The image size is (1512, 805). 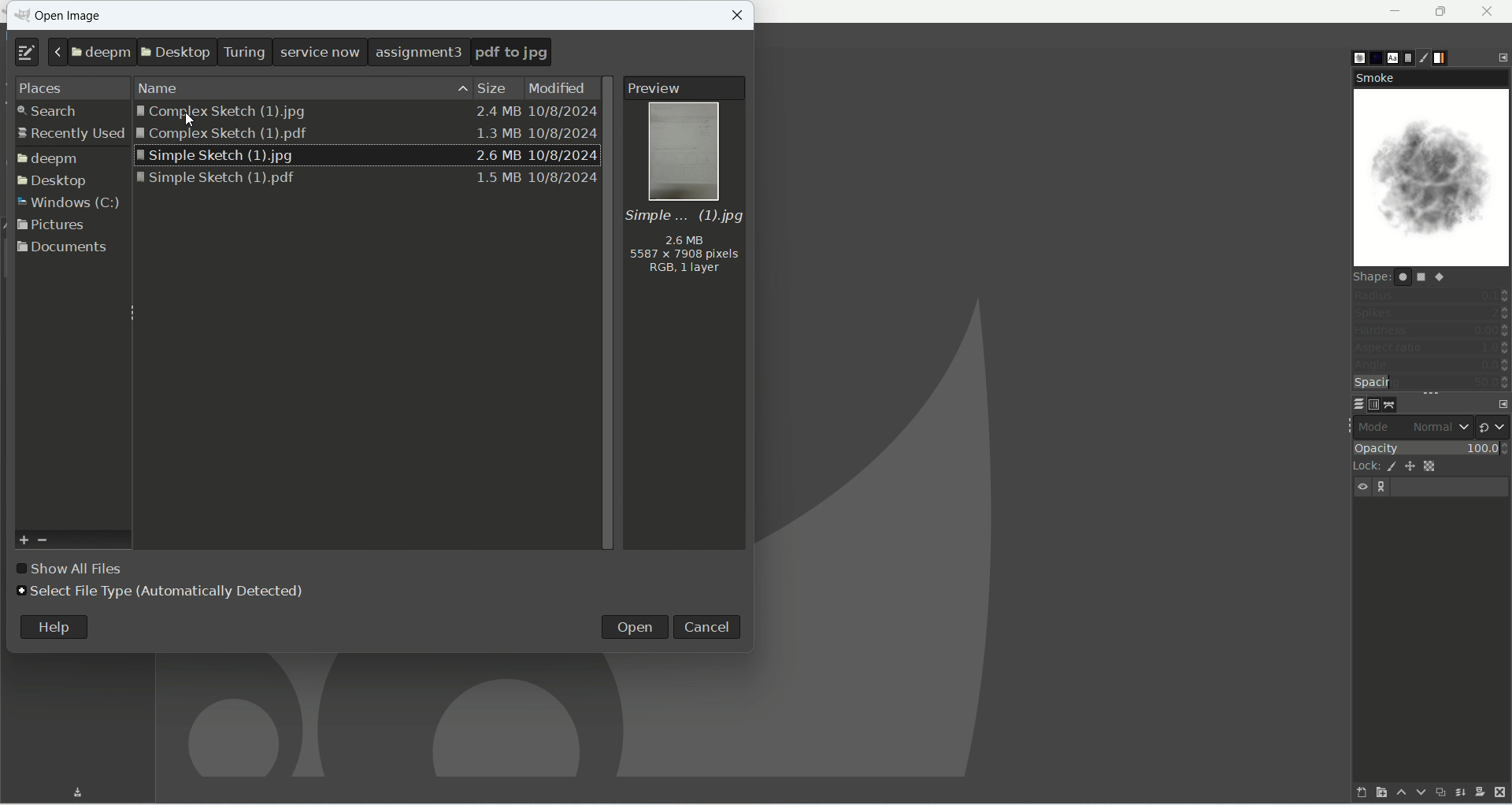 I want to click on modified, so click(x=561, y=85).